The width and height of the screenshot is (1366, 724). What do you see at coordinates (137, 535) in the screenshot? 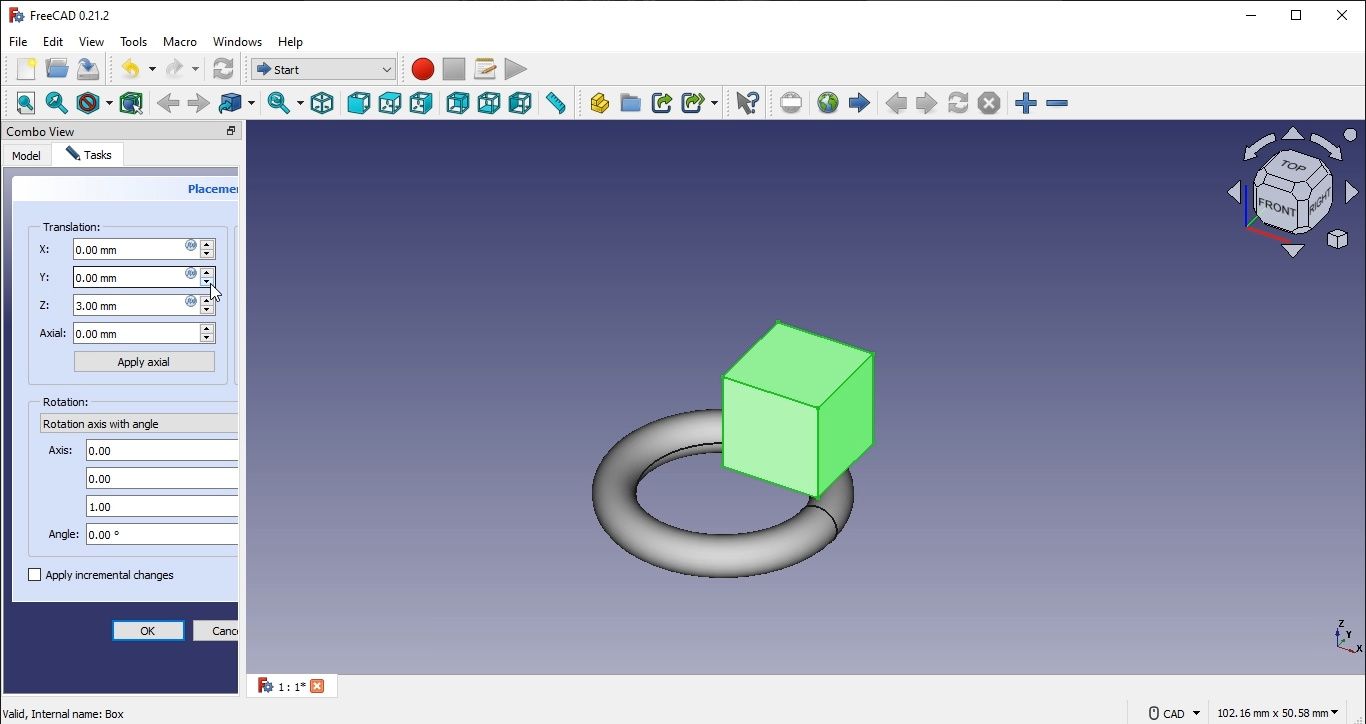
I see `angle` at bounding box center [137, 535].